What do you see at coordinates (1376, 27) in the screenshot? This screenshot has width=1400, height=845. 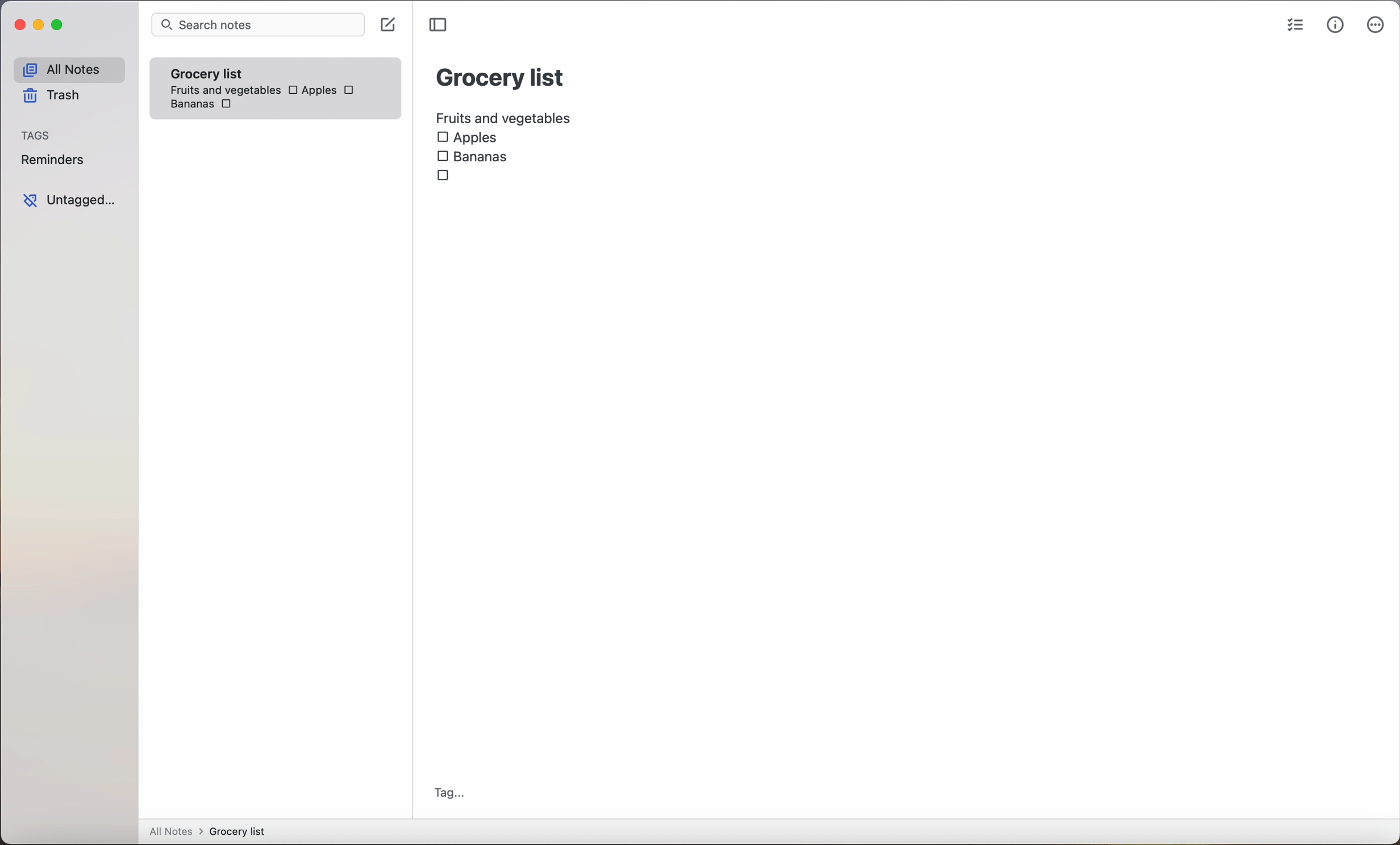 I see `more options` at bounding box center [1376, 27].